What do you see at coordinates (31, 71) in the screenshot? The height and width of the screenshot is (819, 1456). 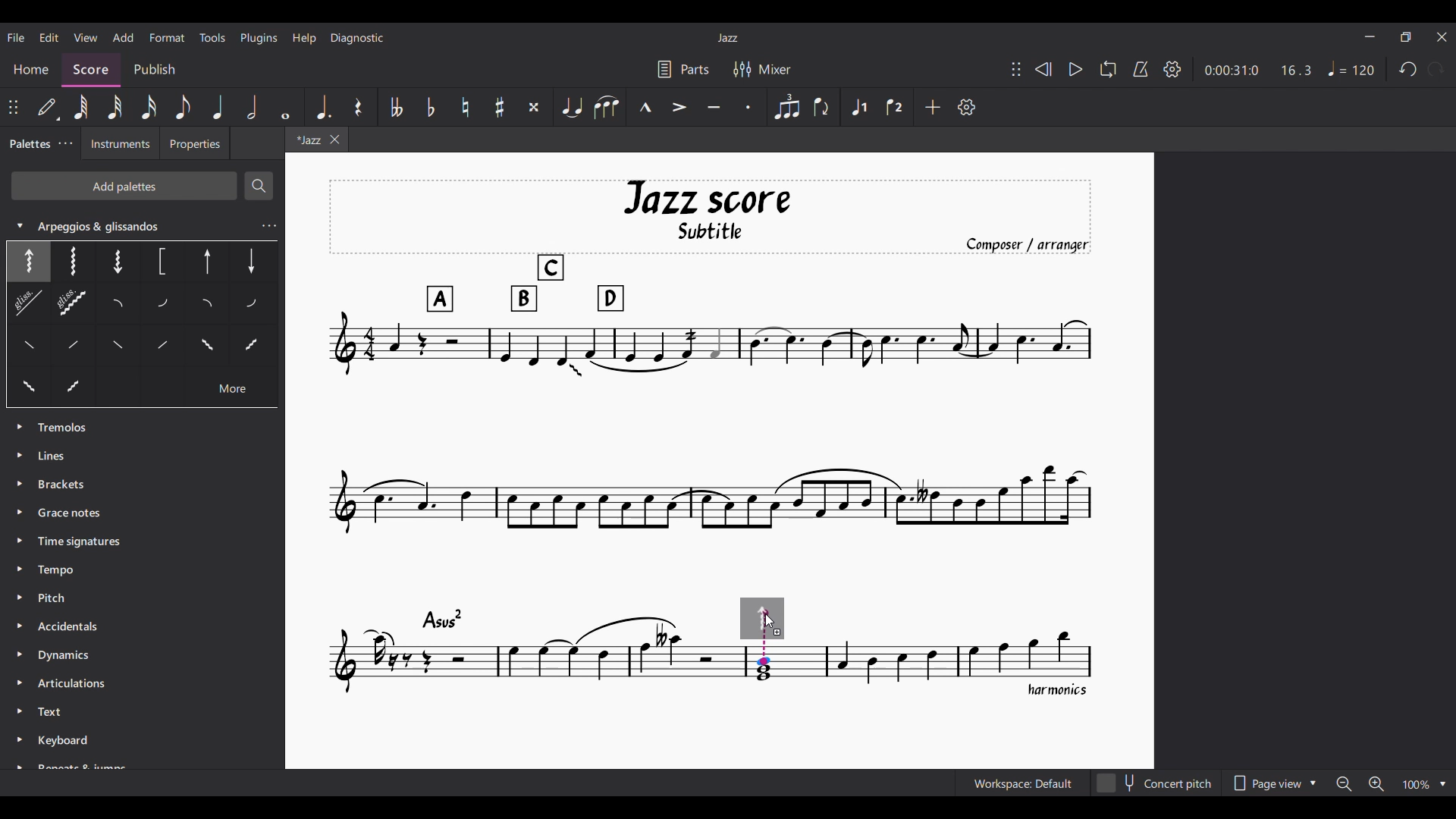 I see `Home section` at bounding box center [31, 71].